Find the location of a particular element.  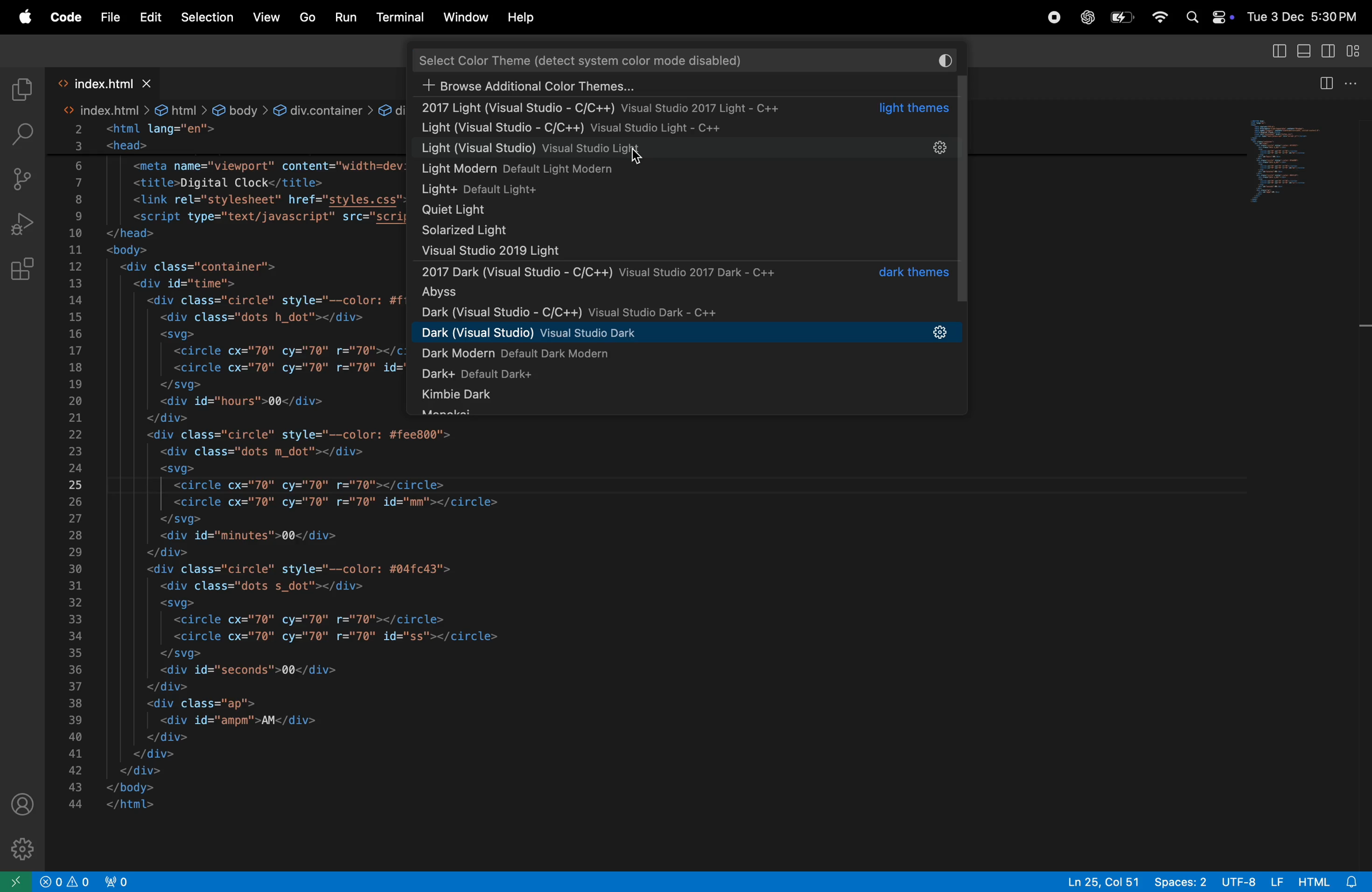

battery is located at coordinates (1124, 17).